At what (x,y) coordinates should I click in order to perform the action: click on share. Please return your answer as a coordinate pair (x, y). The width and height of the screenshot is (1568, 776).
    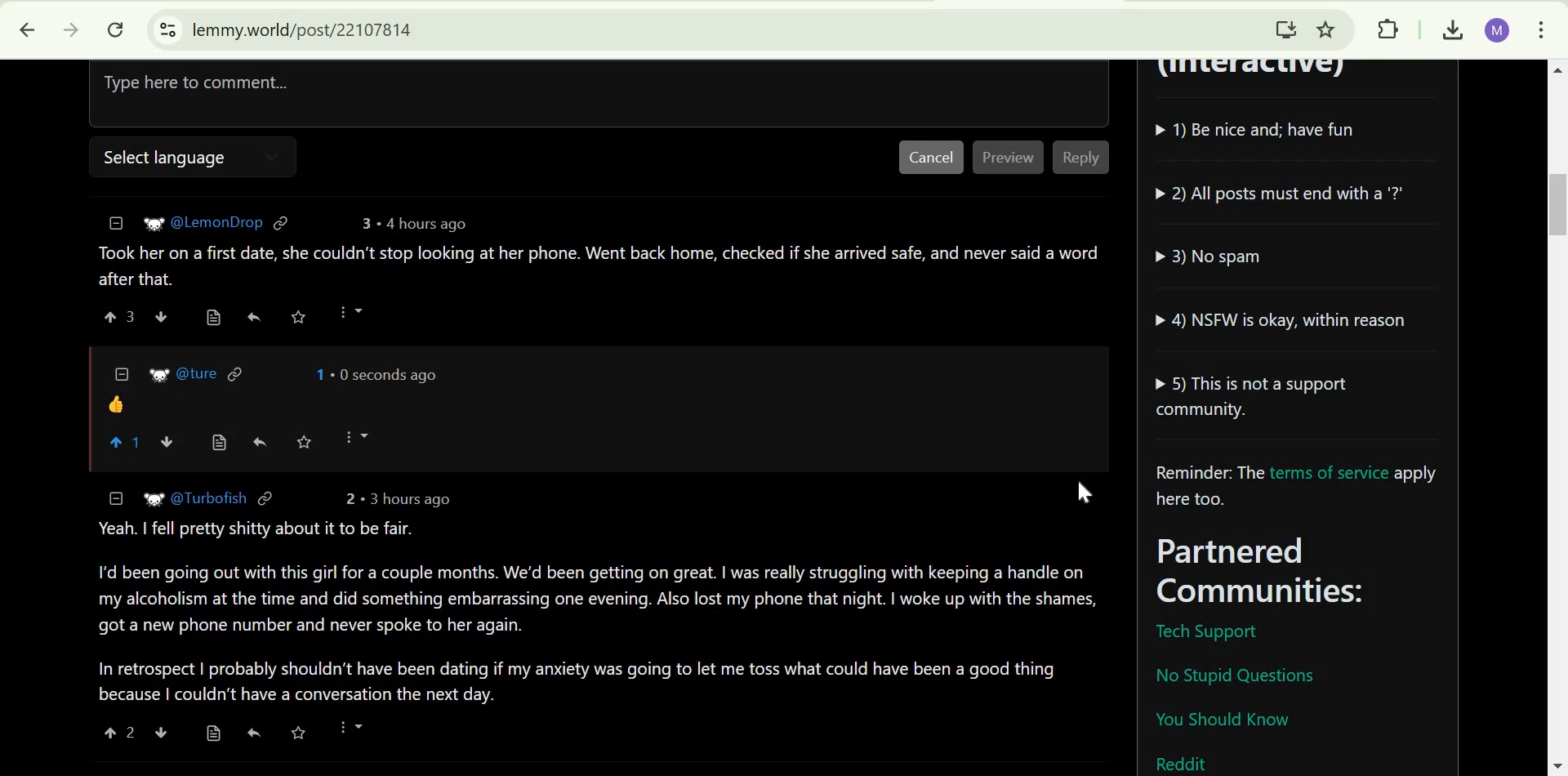
    Looking at the image, I should click on (262, 441).